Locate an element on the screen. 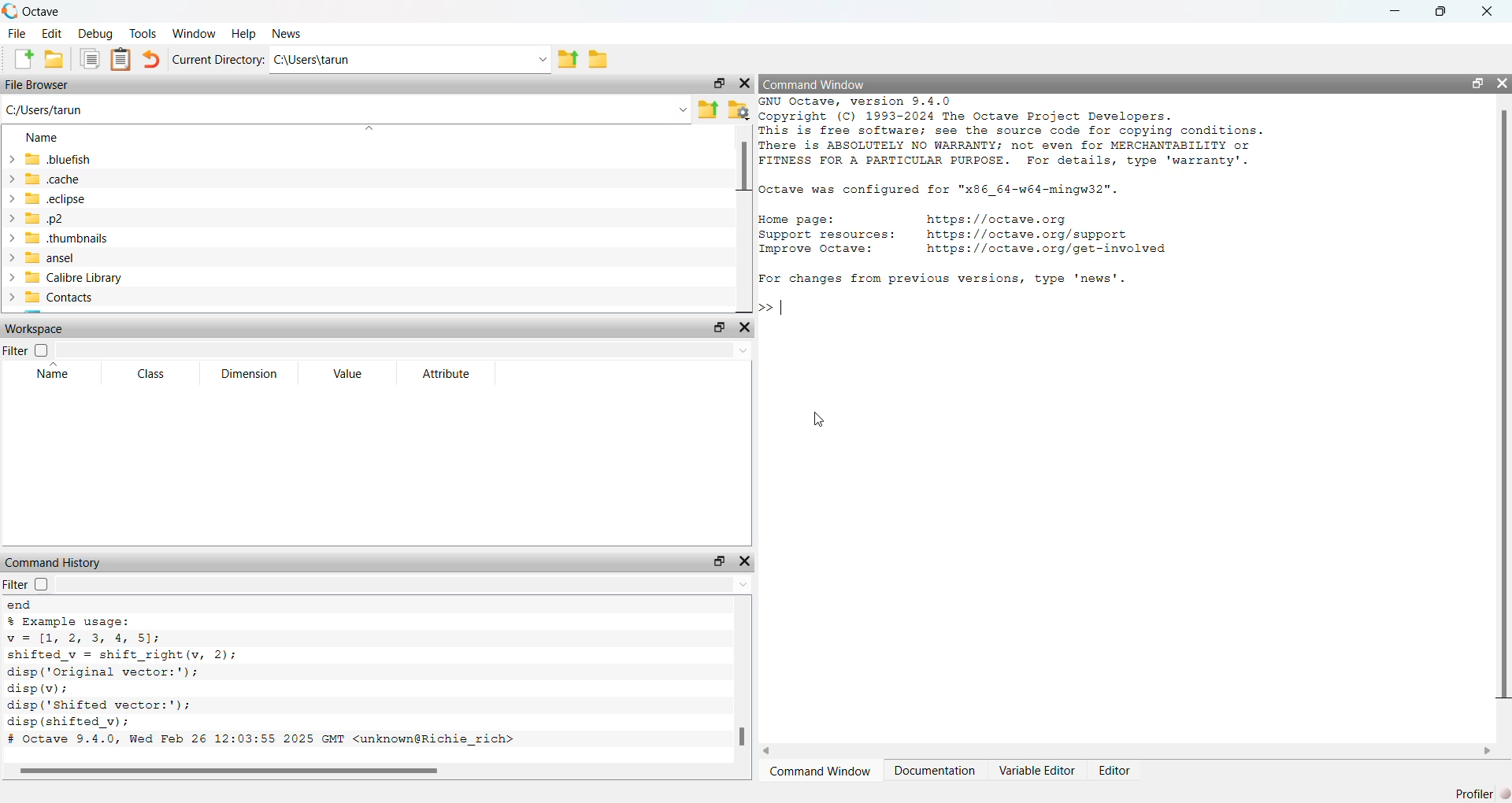  filter input field is located at coordinates (406, 587).